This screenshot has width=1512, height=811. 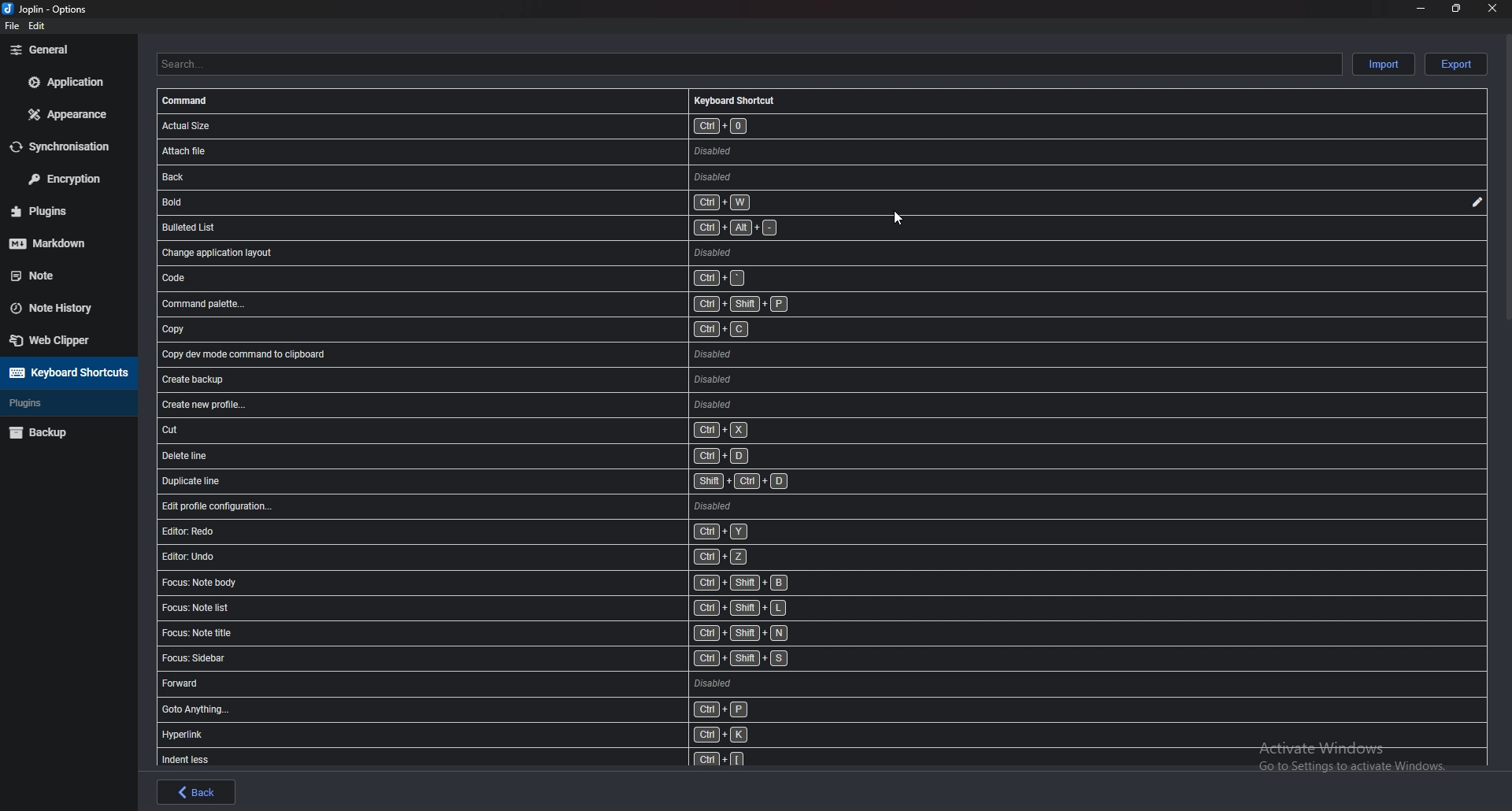 What do you see at coordinates (192, 100) in the screenshot?
I see `Command` at bounding box center [192, 100].